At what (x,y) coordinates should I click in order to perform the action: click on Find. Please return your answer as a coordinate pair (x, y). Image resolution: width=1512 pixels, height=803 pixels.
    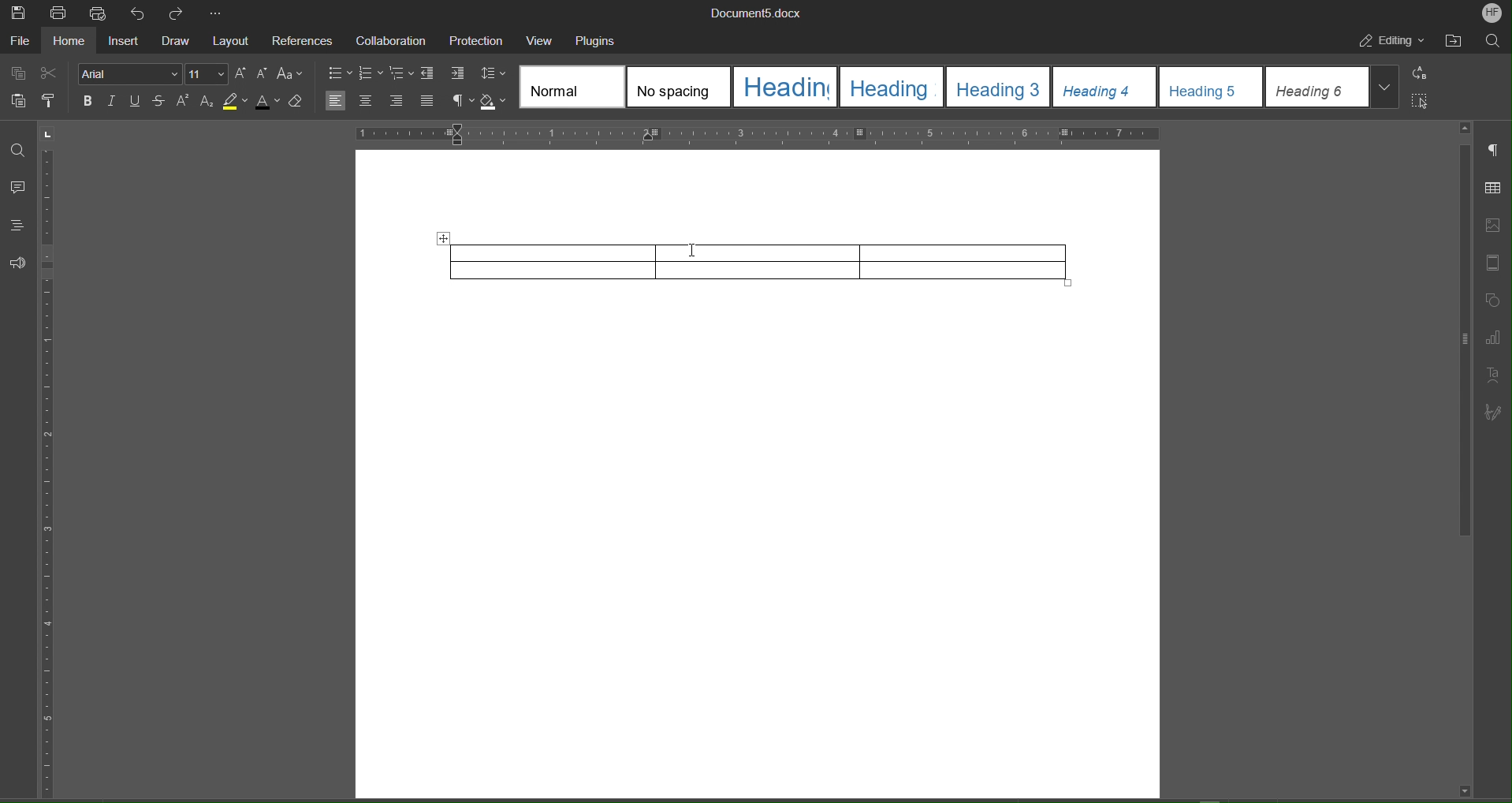
    Looking at the image, I should click on (18, 151).